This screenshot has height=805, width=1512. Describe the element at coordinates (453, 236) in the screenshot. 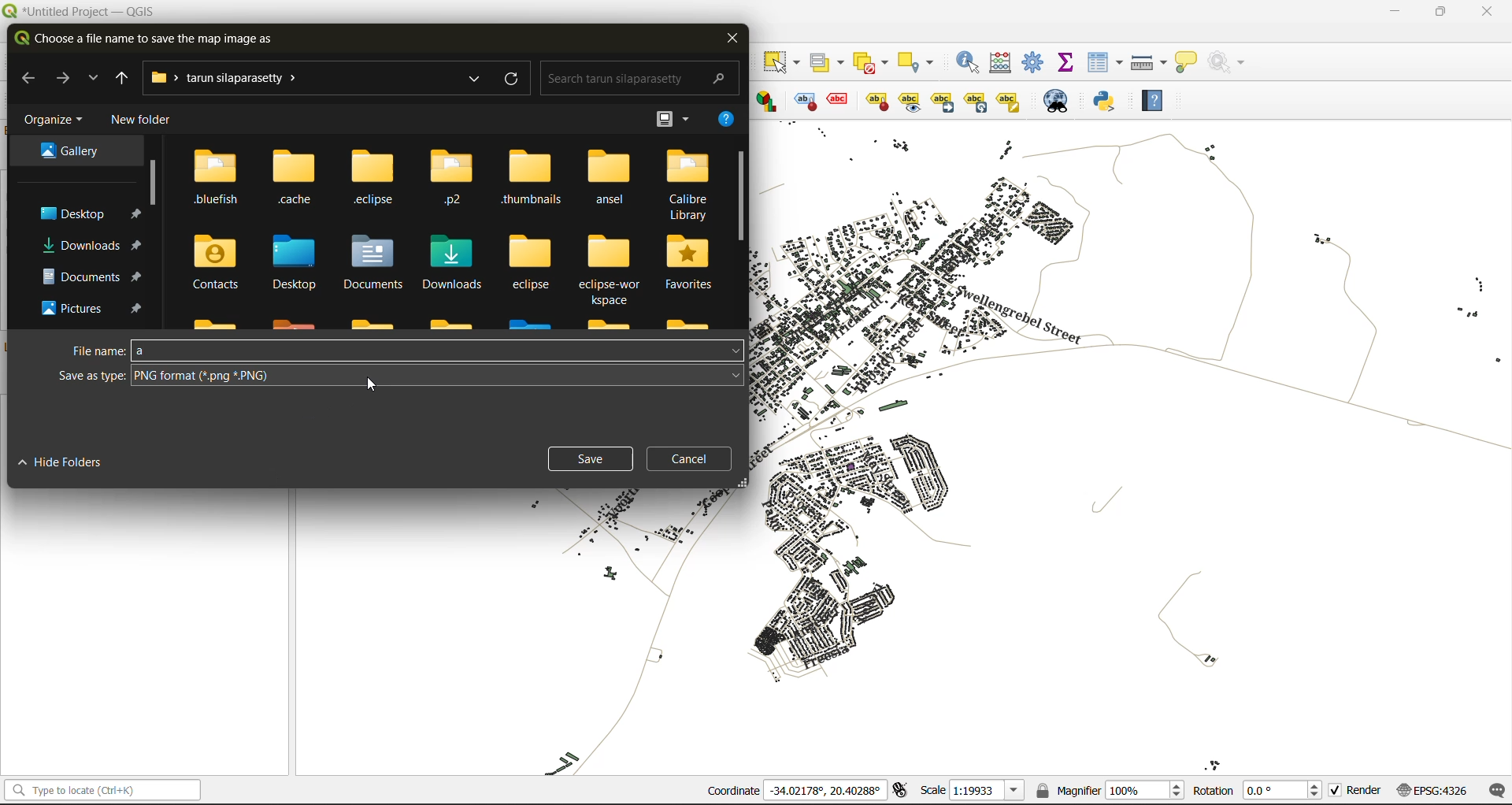

I see `folders` at that location.